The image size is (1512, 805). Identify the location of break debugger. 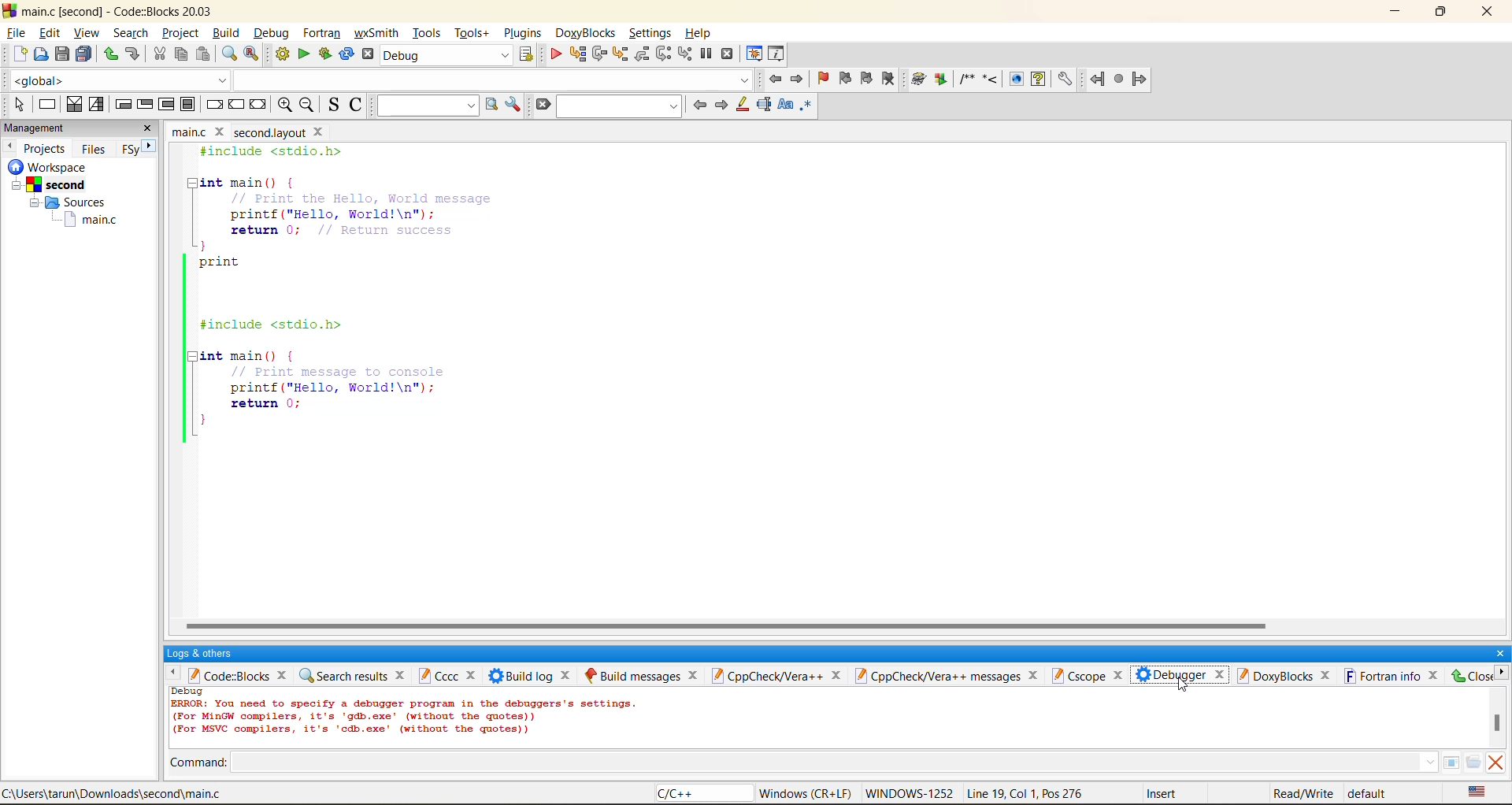
(707, 53).